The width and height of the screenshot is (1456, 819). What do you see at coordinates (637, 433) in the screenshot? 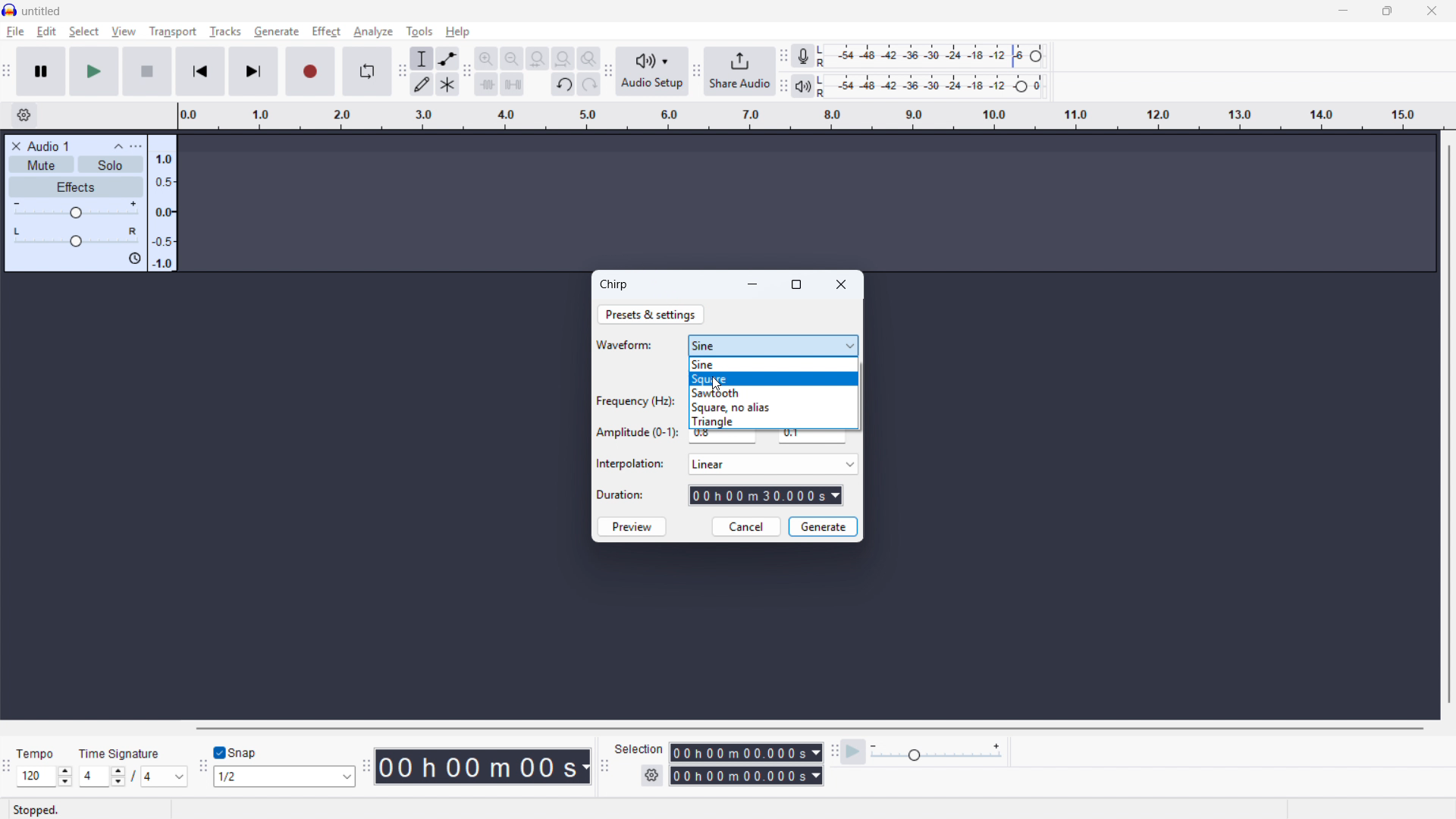
I see `Amplitude (0-1)` at bounding box center [637, 433].